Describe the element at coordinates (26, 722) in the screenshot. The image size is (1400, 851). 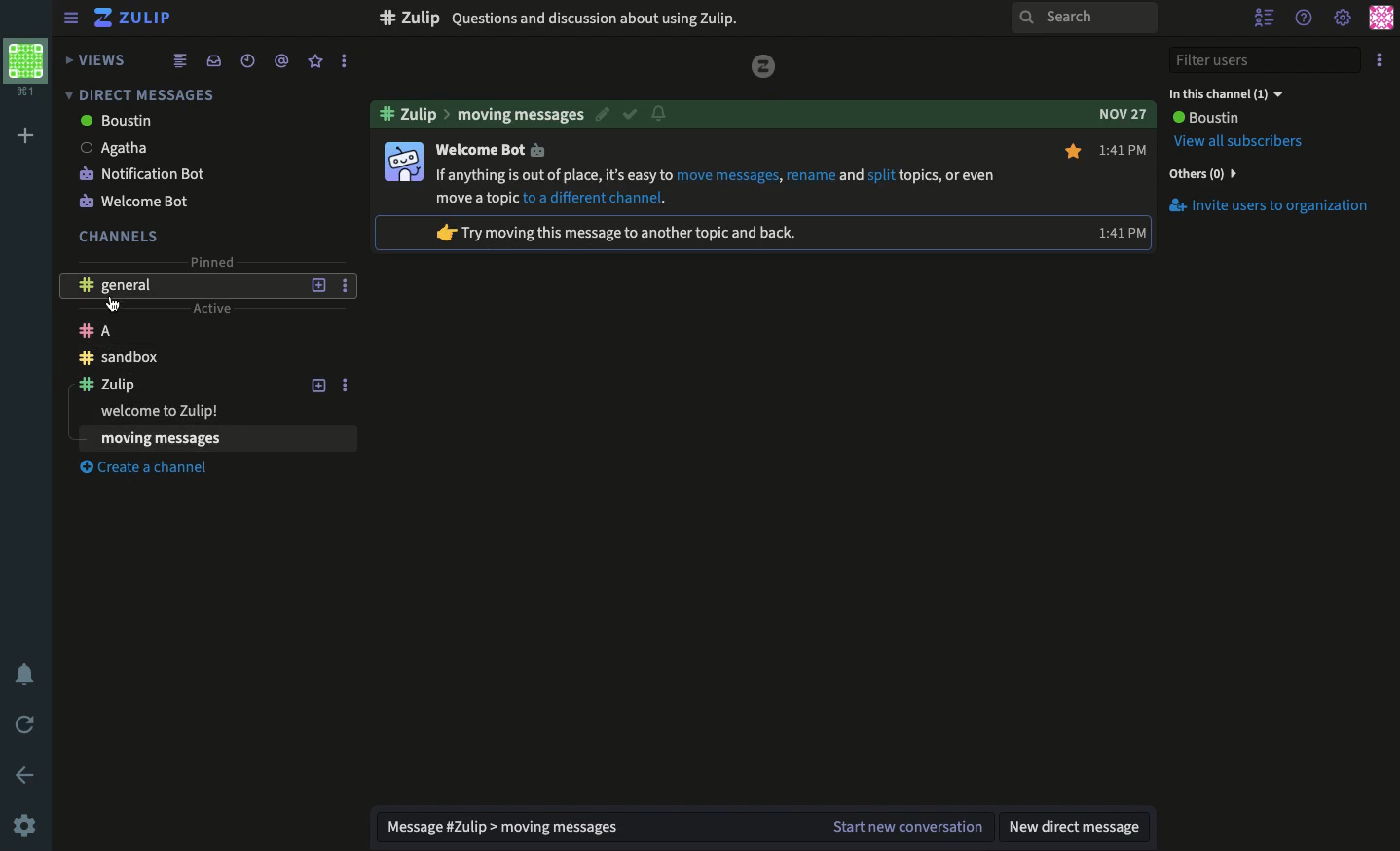
I see `Refresh` at that location.